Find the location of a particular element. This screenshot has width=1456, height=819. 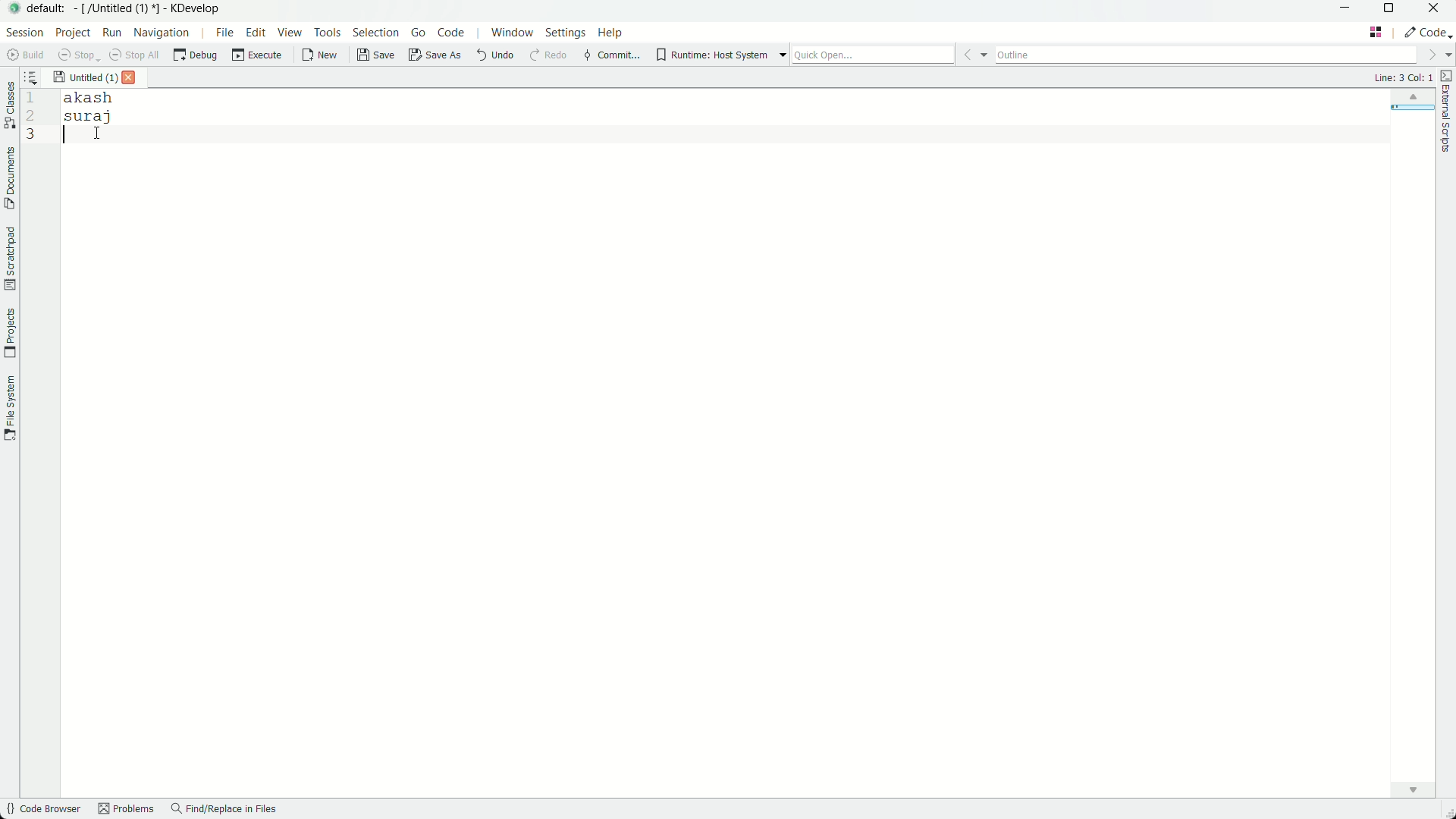

app icon is located at coordinates (12, 9).